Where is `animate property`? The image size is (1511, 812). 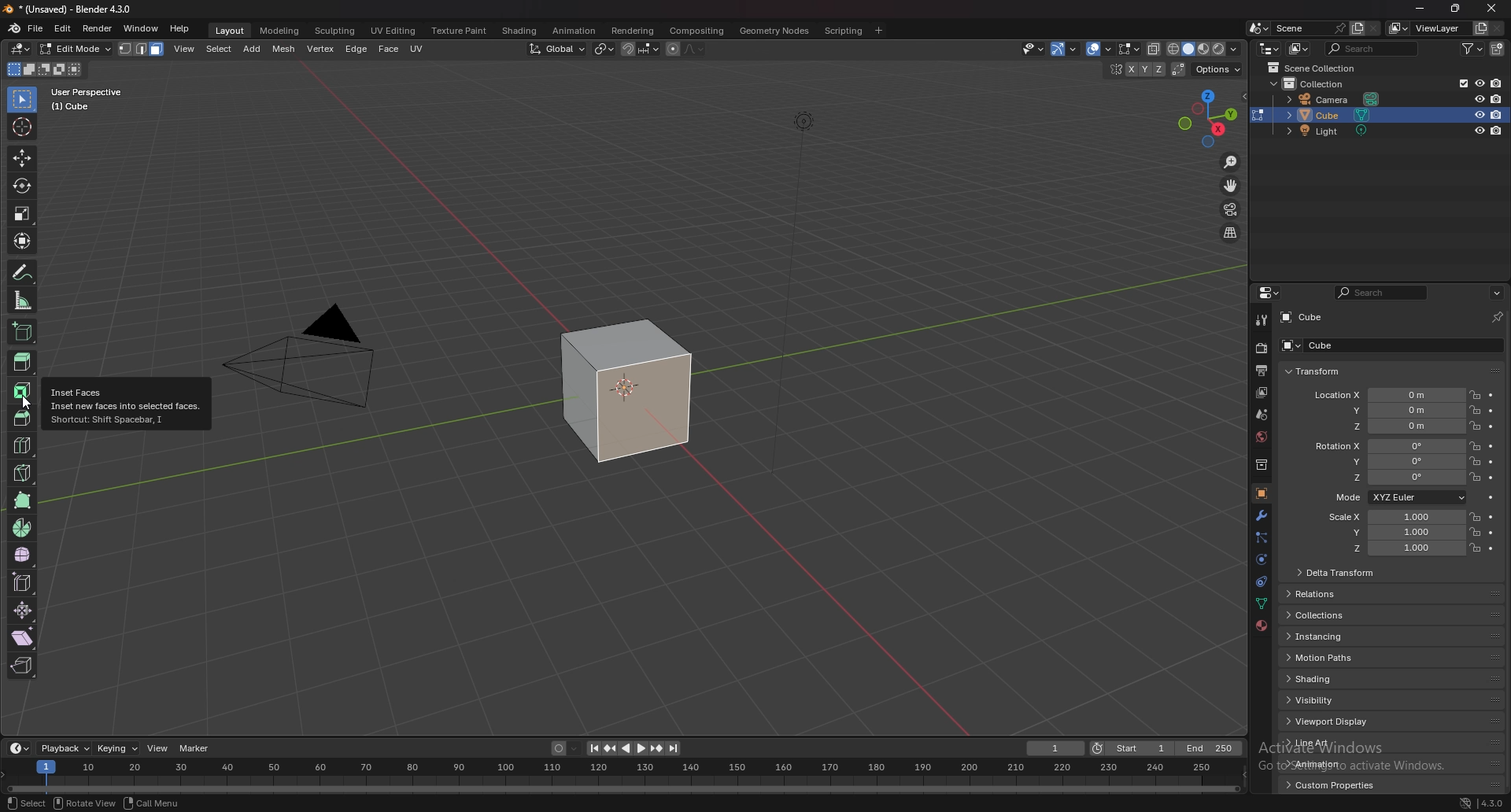
animate property is located at coordinates (1492, 409).